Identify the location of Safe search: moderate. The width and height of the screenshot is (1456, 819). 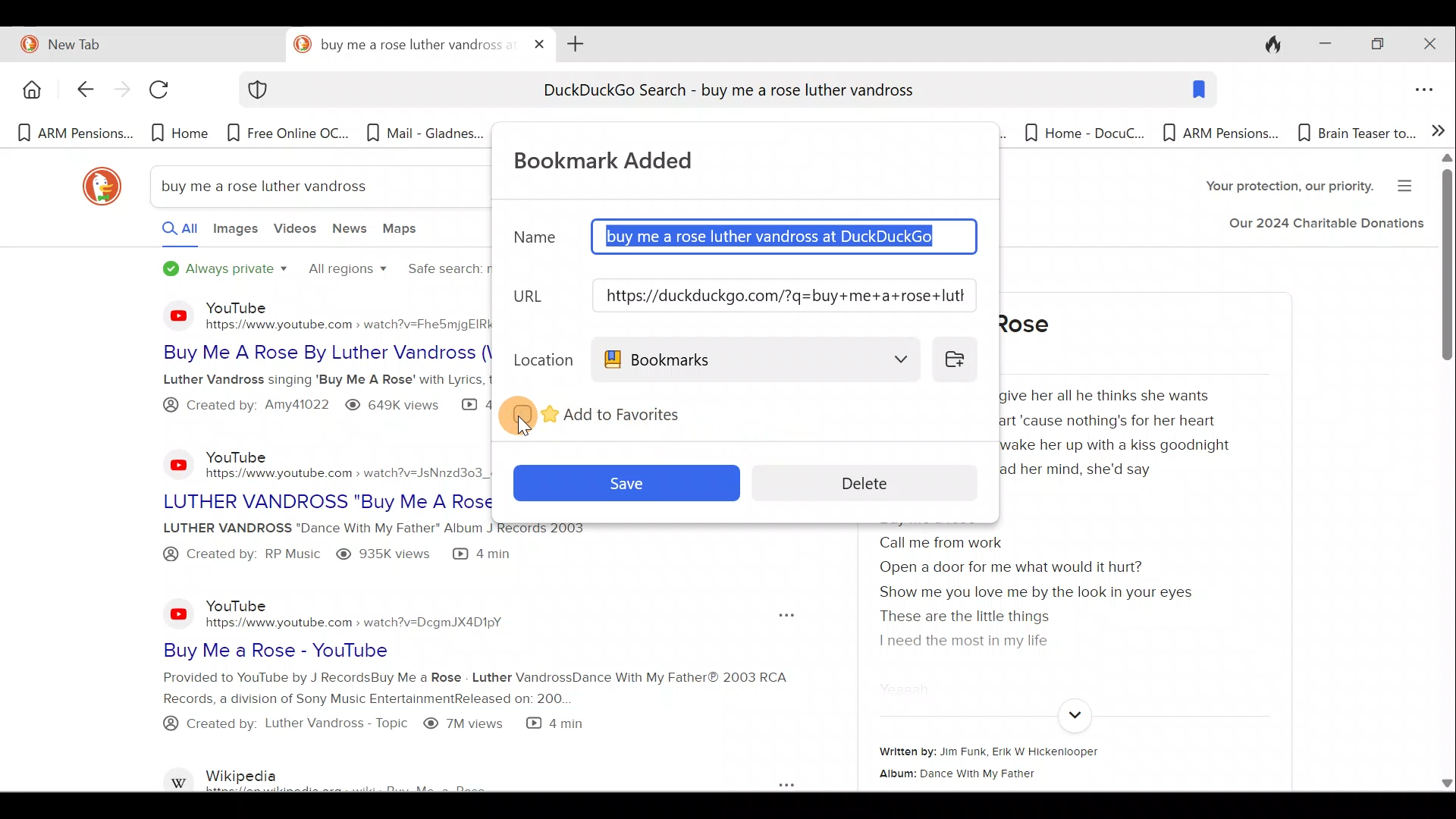
(442, 271).